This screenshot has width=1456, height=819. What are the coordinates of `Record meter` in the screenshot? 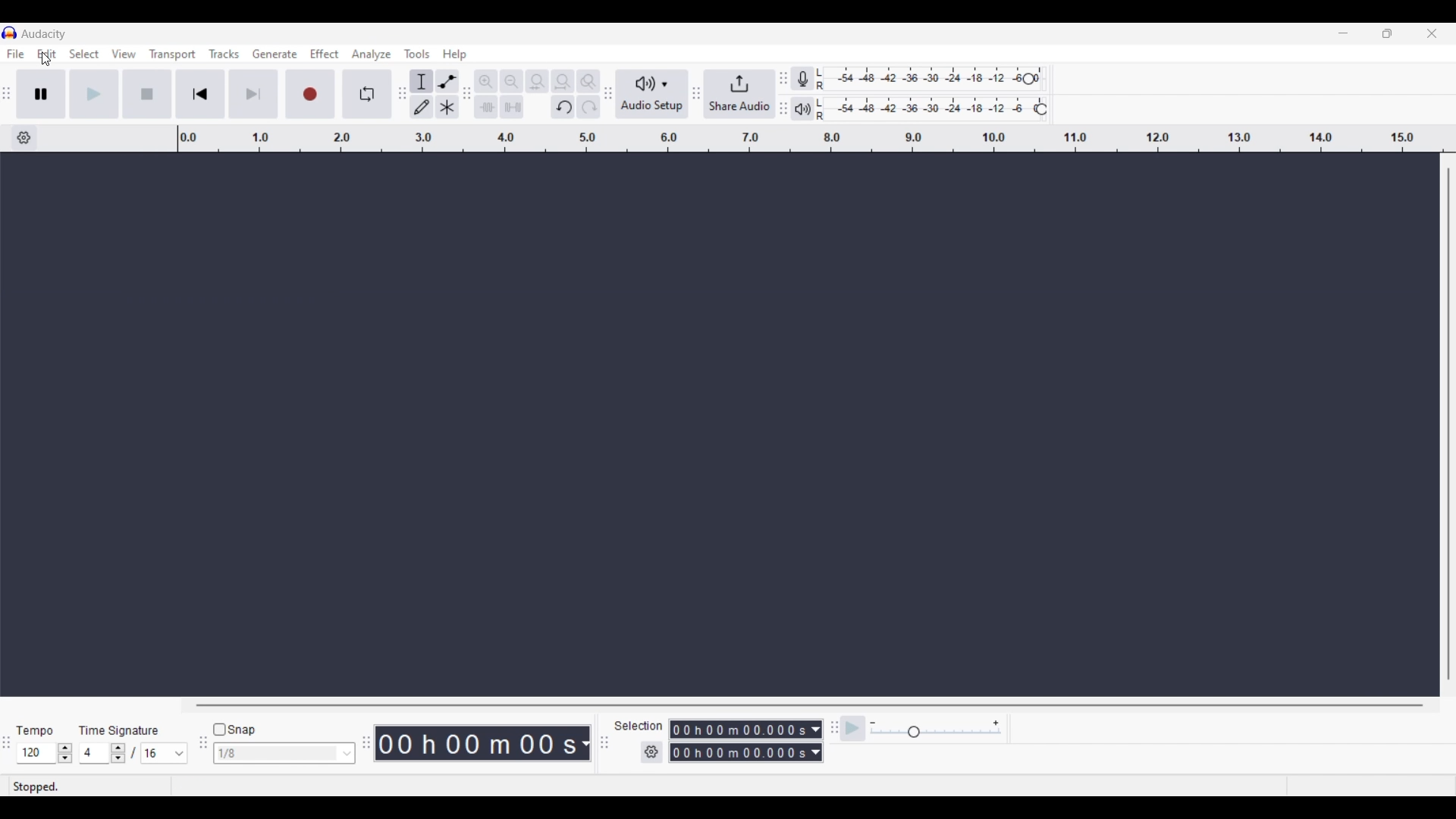 It's located at (809, 79).